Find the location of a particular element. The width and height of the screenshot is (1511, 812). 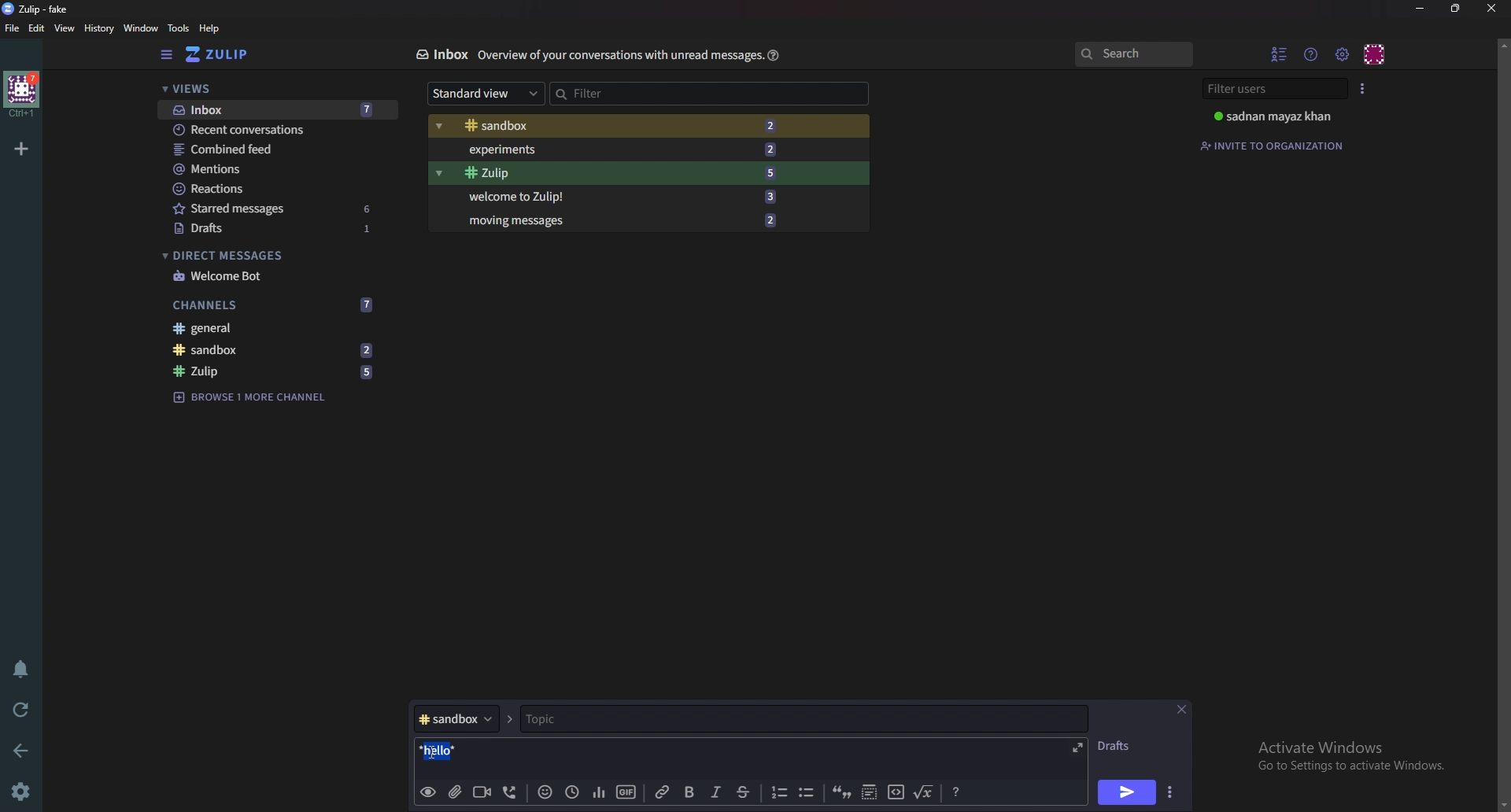

Moving messages 2 is located at coordinates (619, 218).